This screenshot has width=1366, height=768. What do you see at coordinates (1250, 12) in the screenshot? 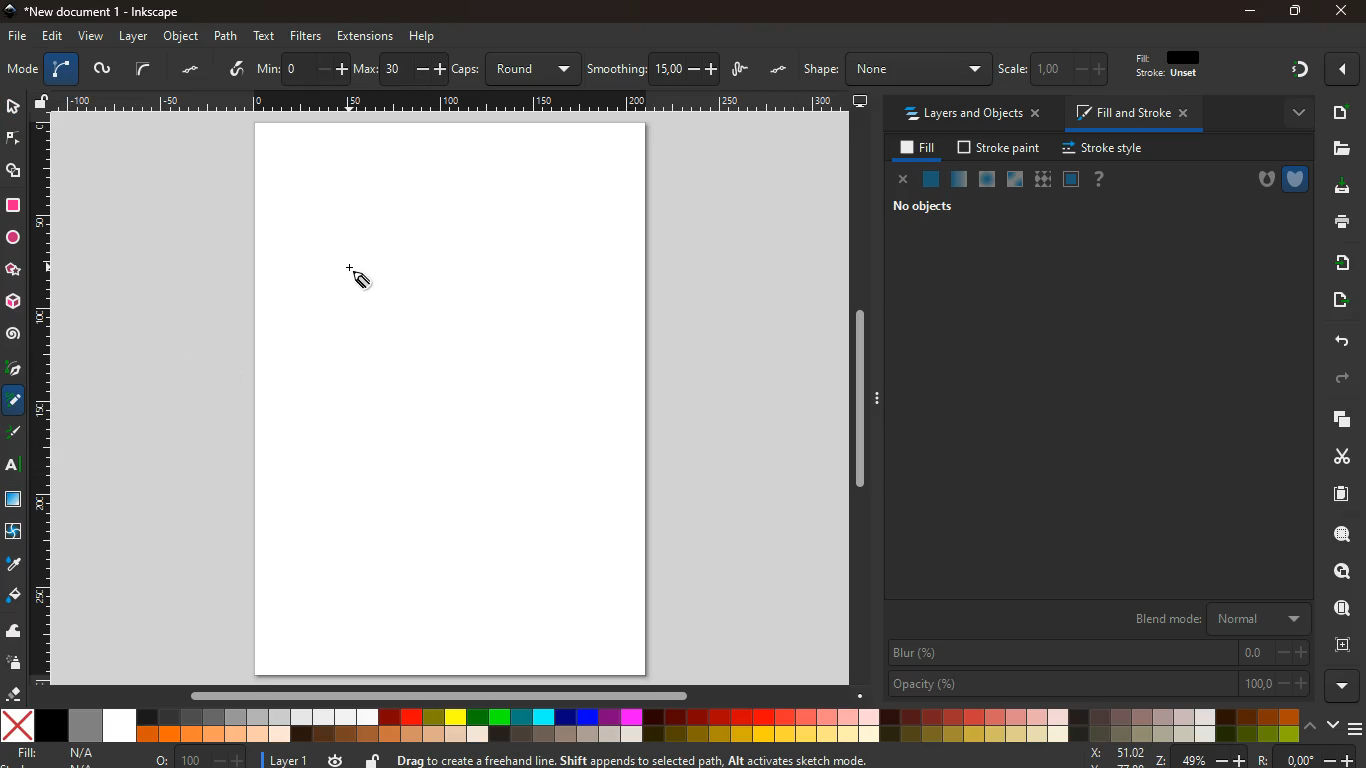
I see `minimize` at bounding box center [1250, 12].